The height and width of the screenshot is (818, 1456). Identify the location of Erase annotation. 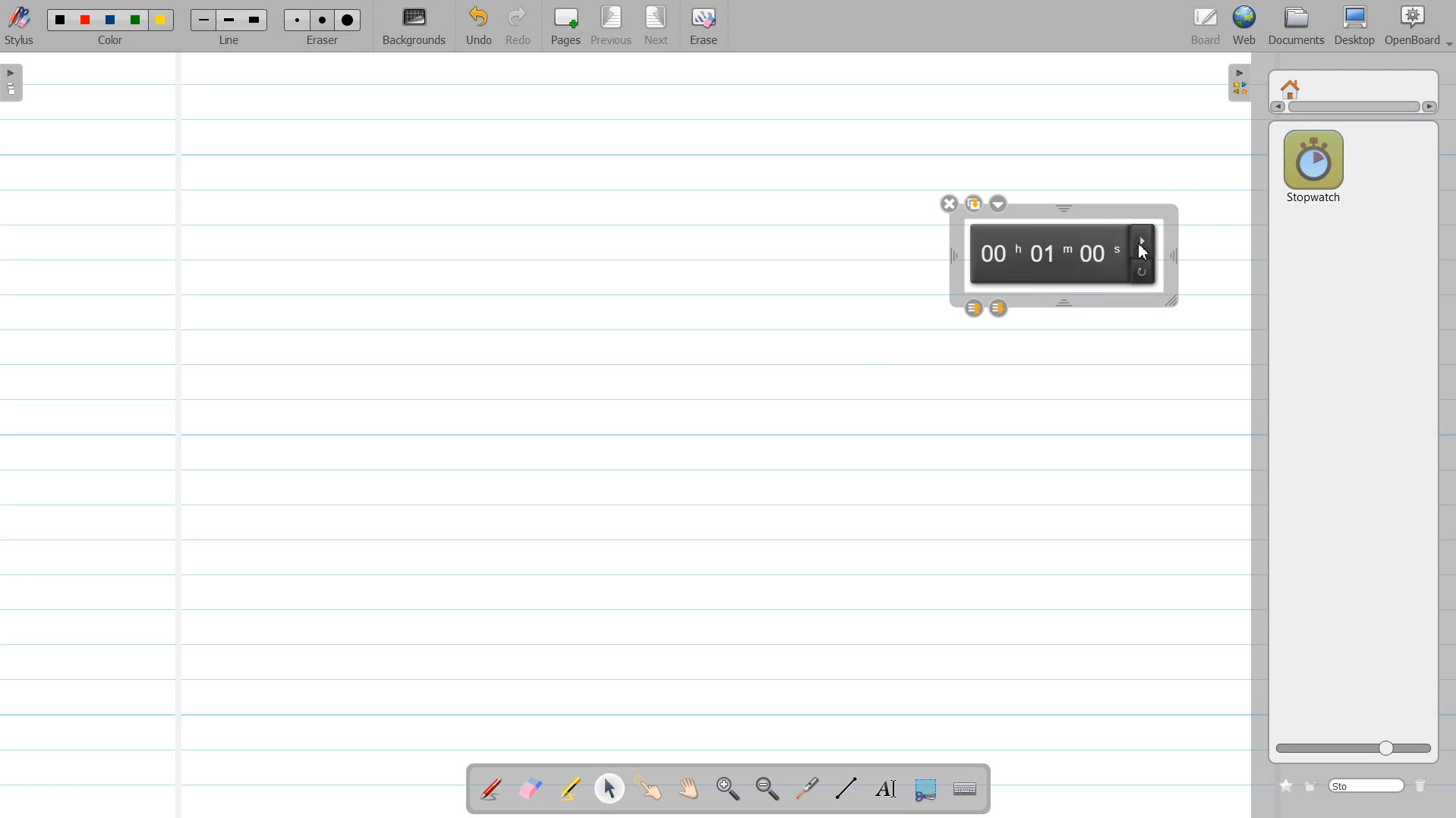
(529, 788).